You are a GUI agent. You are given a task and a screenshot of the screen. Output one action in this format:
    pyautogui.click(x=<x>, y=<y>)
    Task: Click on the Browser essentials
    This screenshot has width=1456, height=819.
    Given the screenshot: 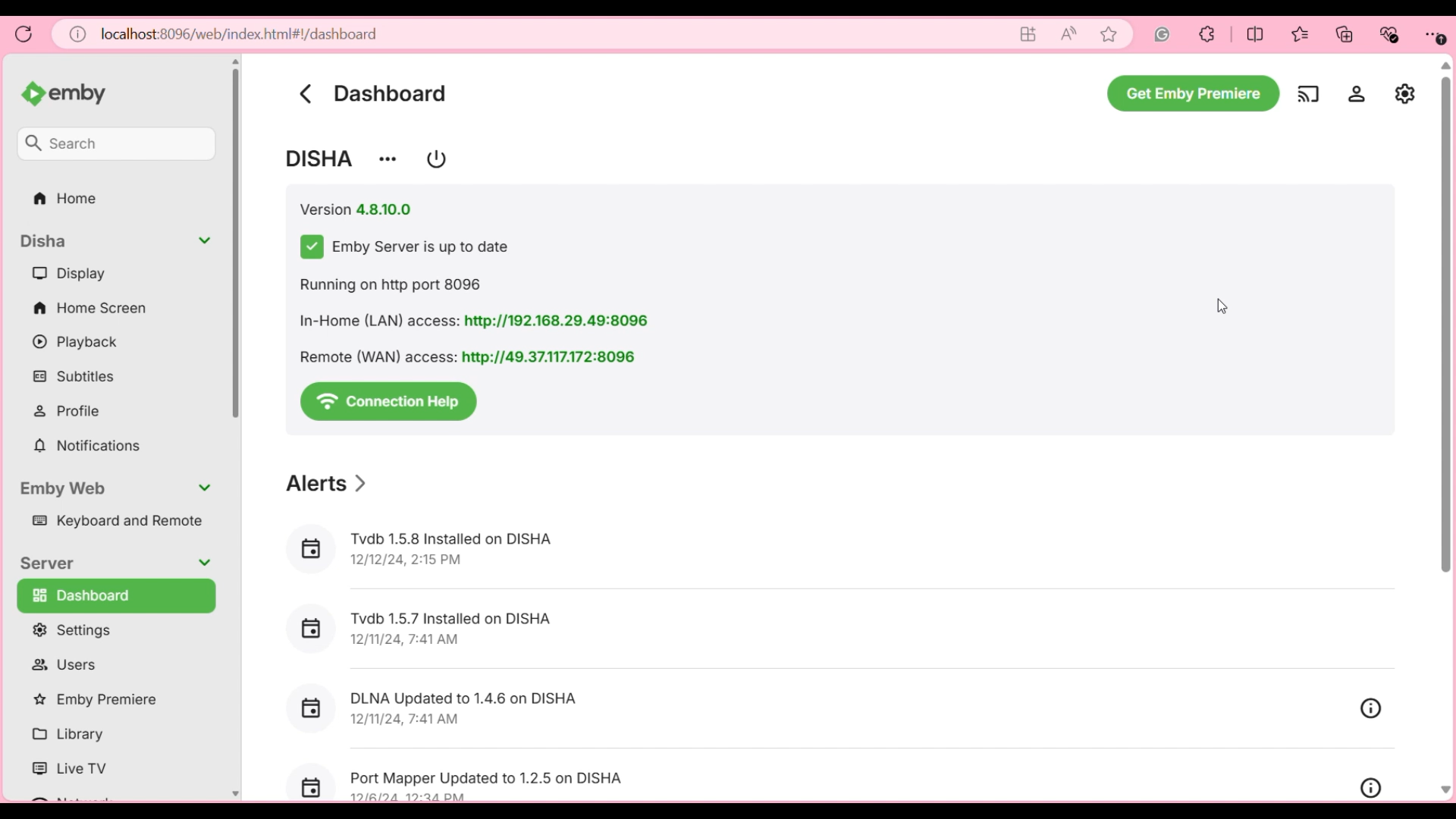 What is the action you would take?
    pyautogui.click(x=1389, y=35)
    